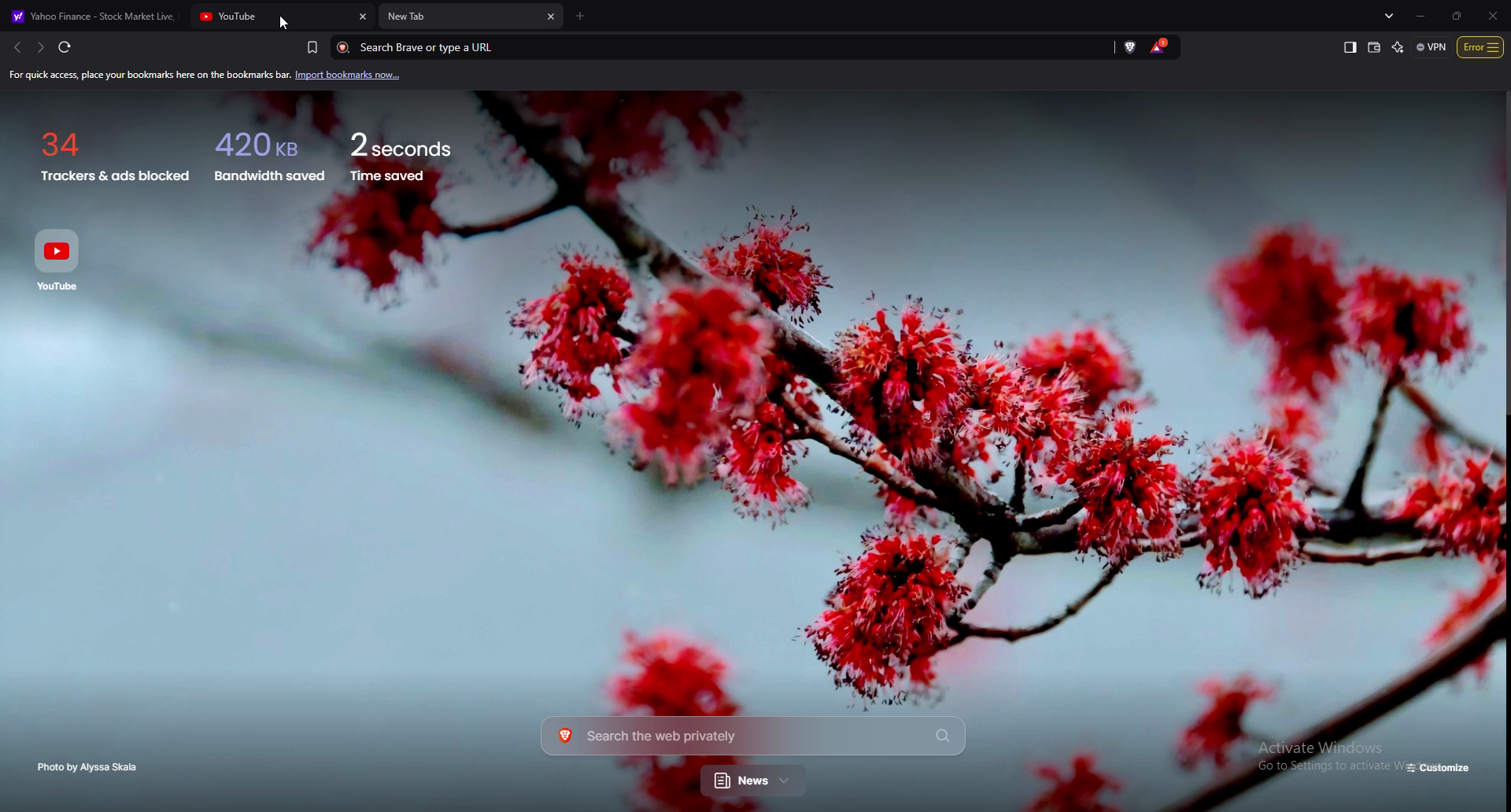  I want to click on customize, so click(1440, 769).